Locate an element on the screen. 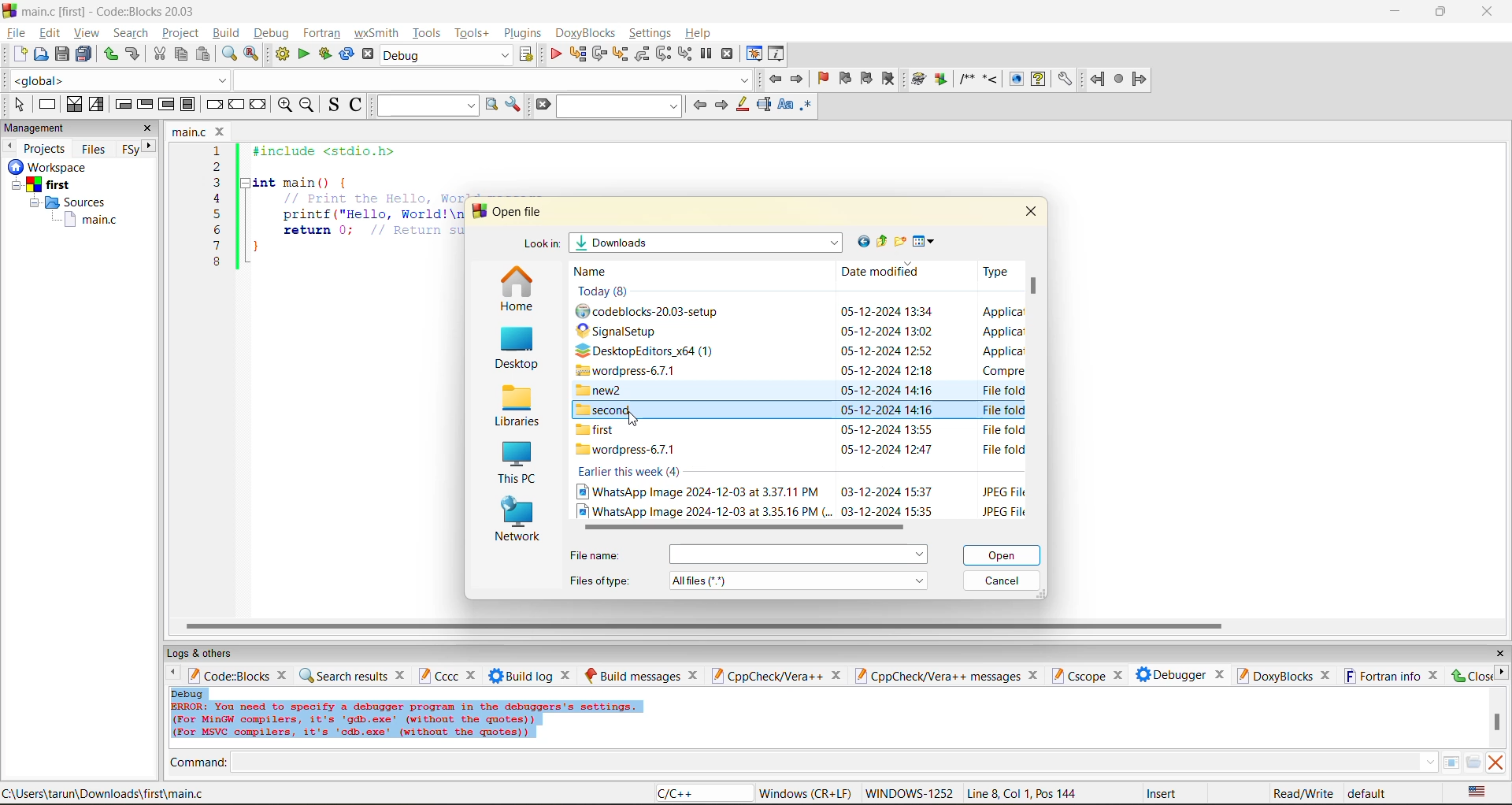 This screenshot has width=1512, height=805. date and time is located at coordinates (891, 510).